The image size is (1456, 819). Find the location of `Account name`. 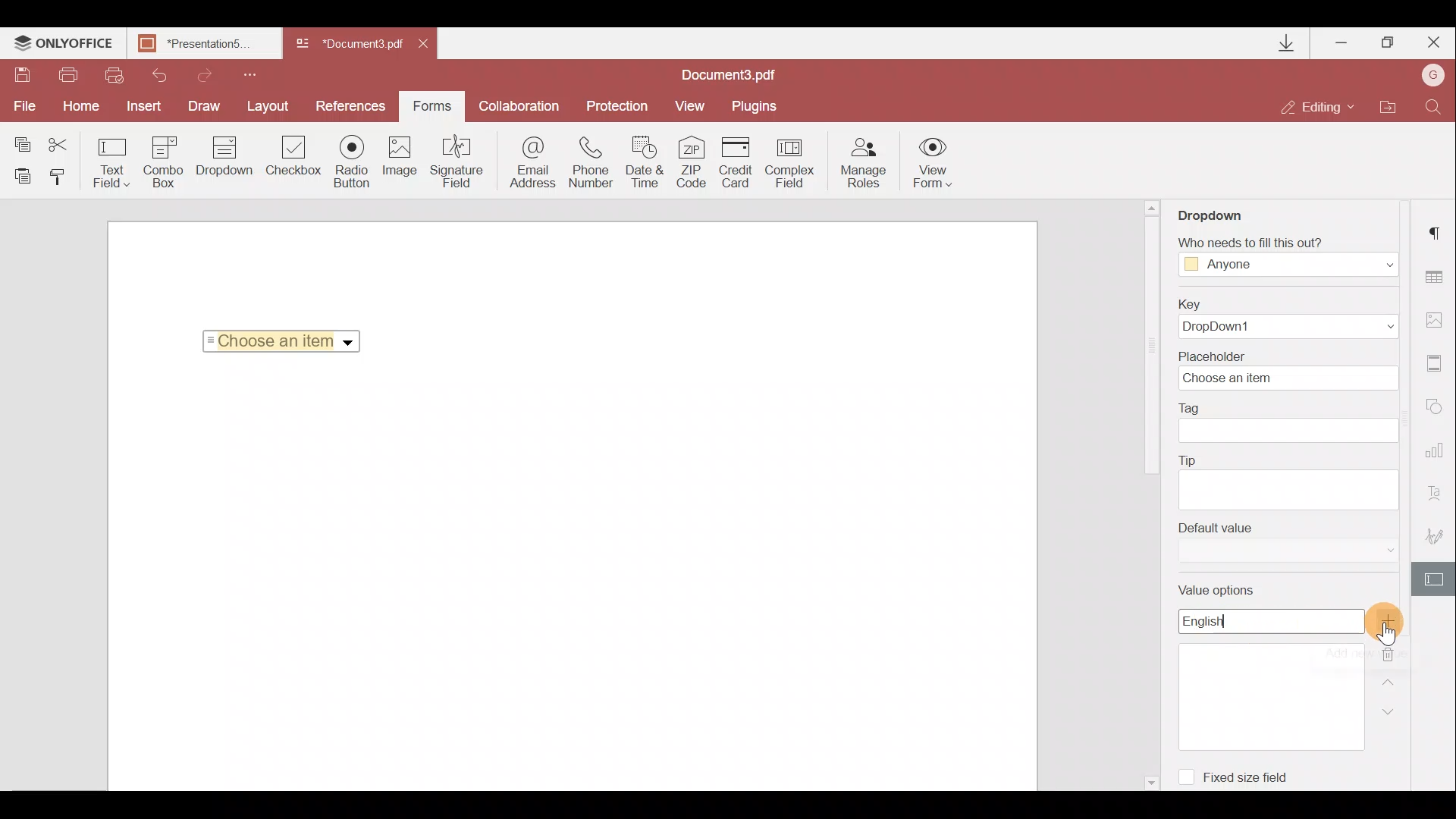

Account name is located at coordinates (1429, 77).